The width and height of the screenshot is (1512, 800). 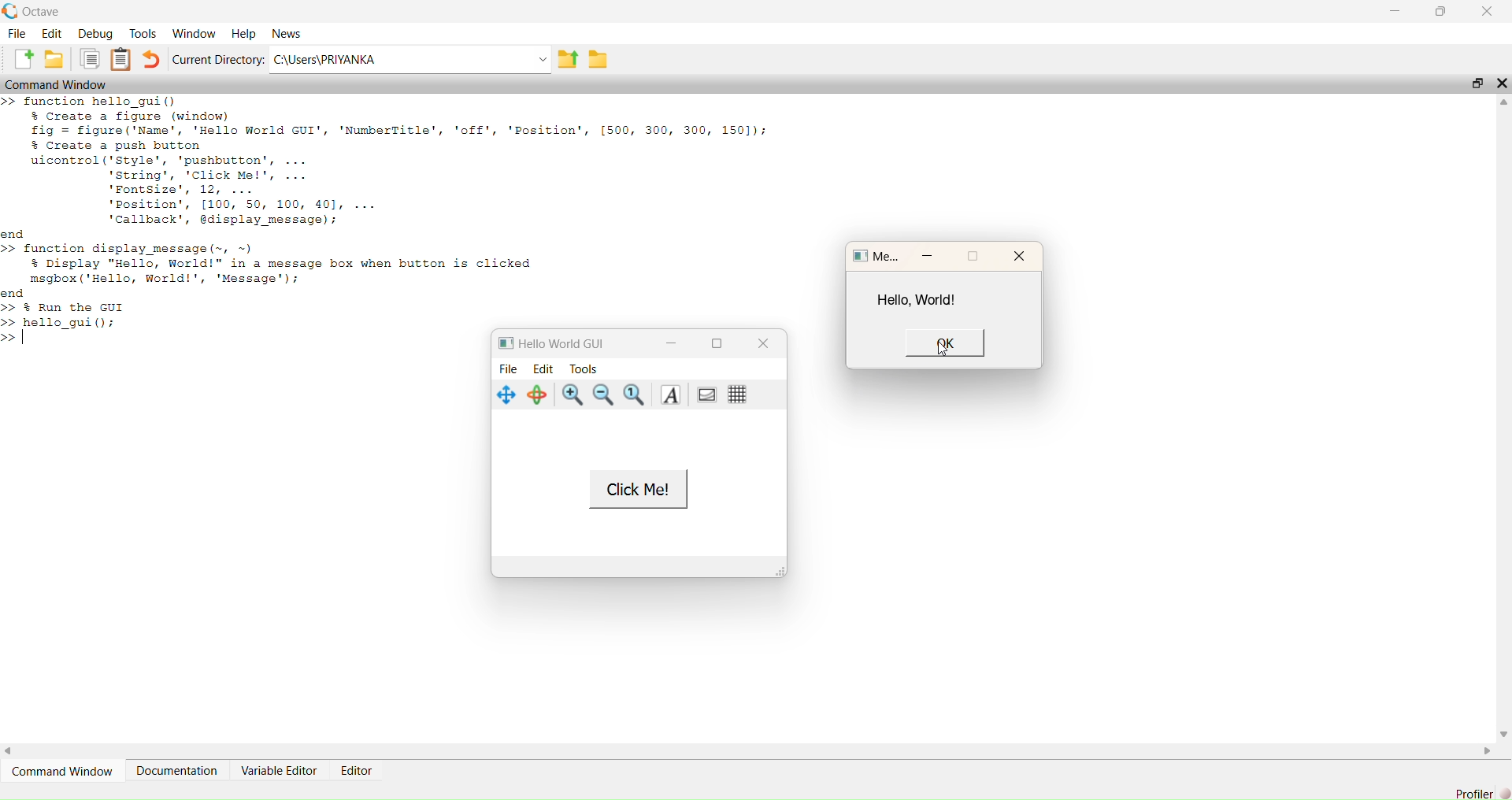 What do you see at coordinates (537, 396) in the screenshot?
I see `rotate` at bounding box center [537, 396].